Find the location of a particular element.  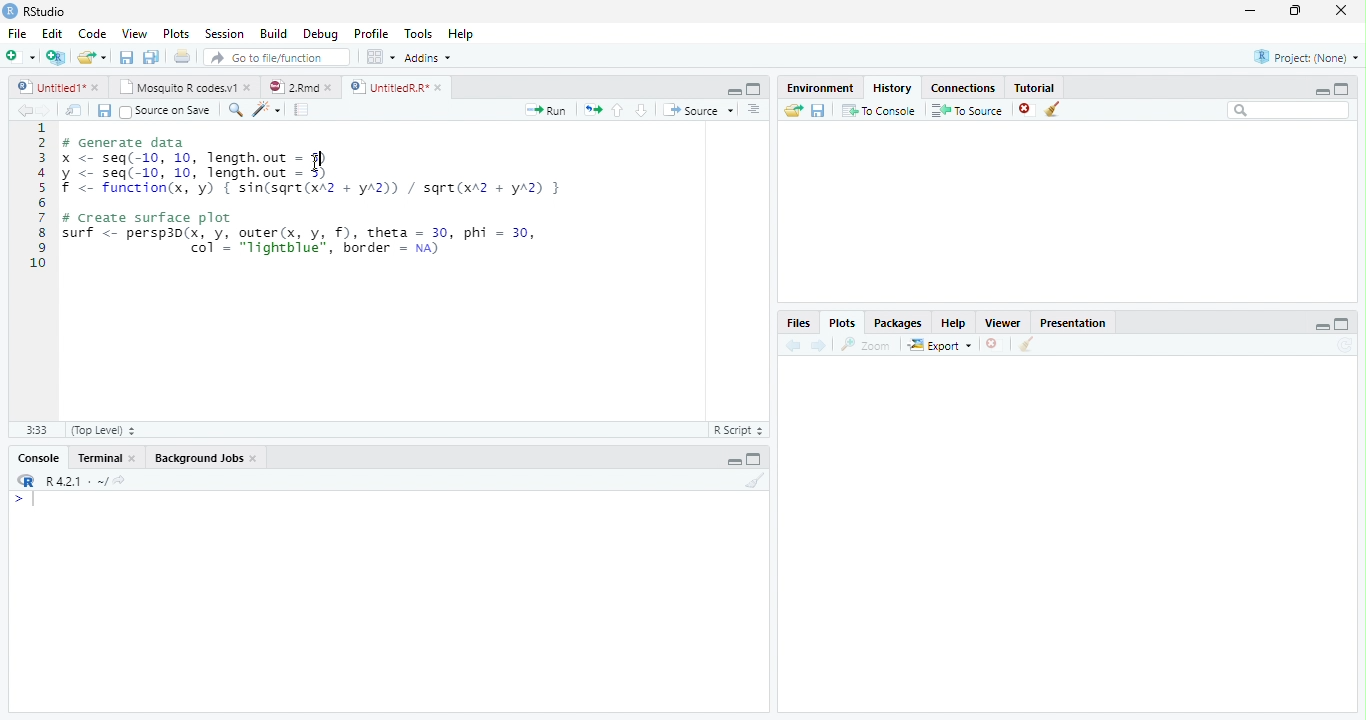

Clear console is located at coordinates (756, 480).